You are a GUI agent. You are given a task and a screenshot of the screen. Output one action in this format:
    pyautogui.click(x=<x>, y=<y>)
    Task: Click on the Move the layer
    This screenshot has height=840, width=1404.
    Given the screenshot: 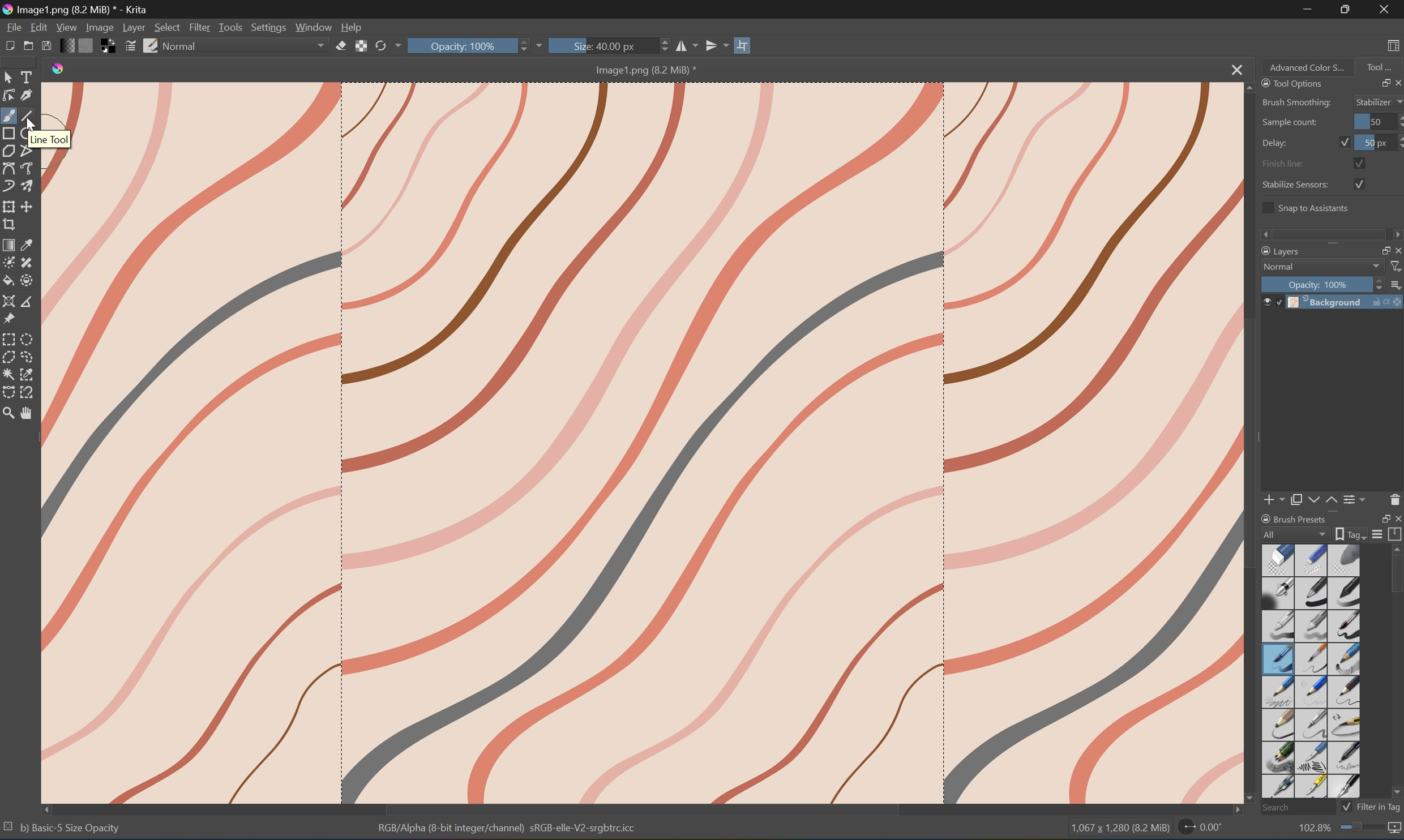 What is the action you would take?
    pyautogui.click(x=29, y=207)
    